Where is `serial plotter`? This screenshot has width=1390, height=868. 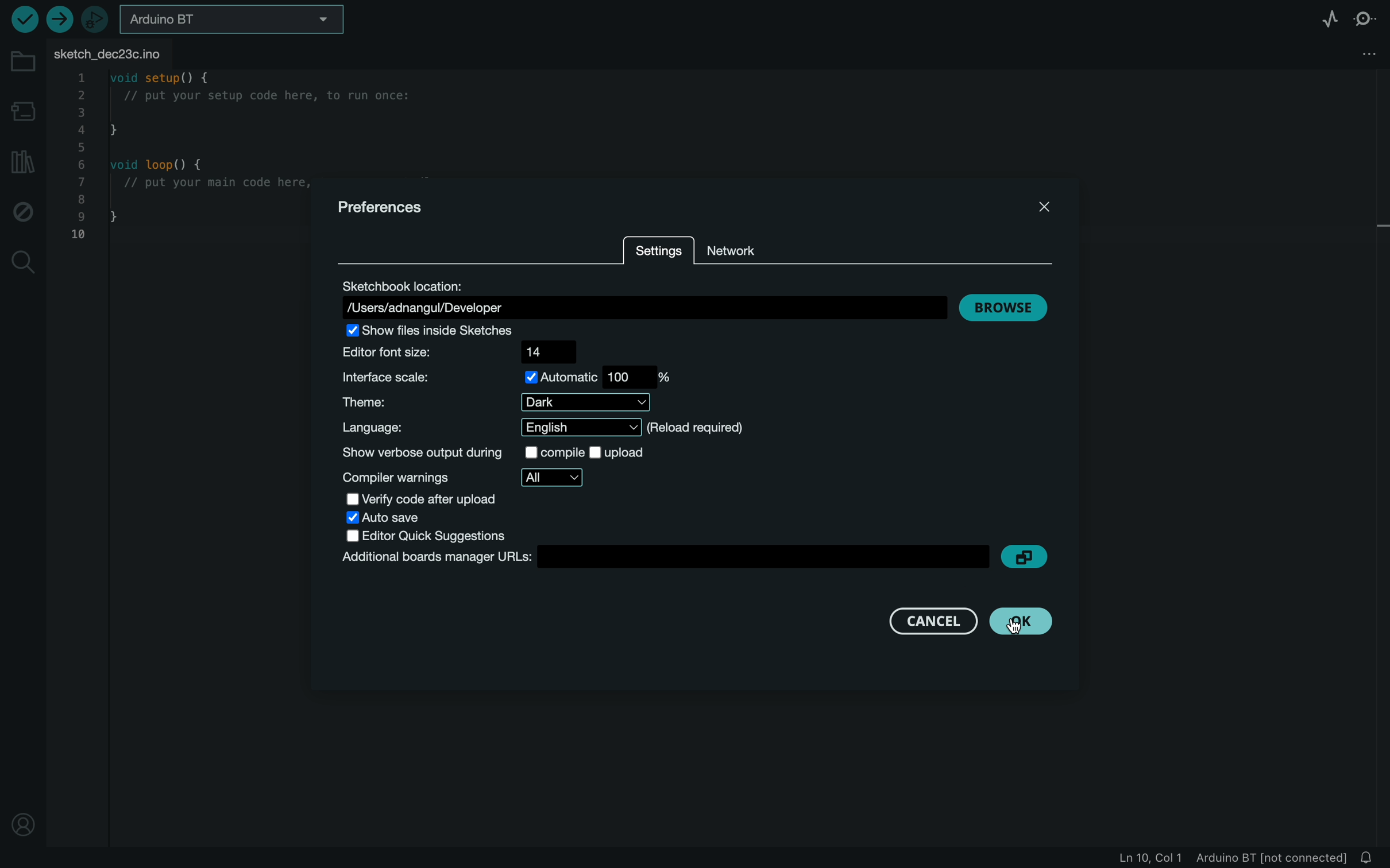 serial plotter is located at coordinates (1323, 16).